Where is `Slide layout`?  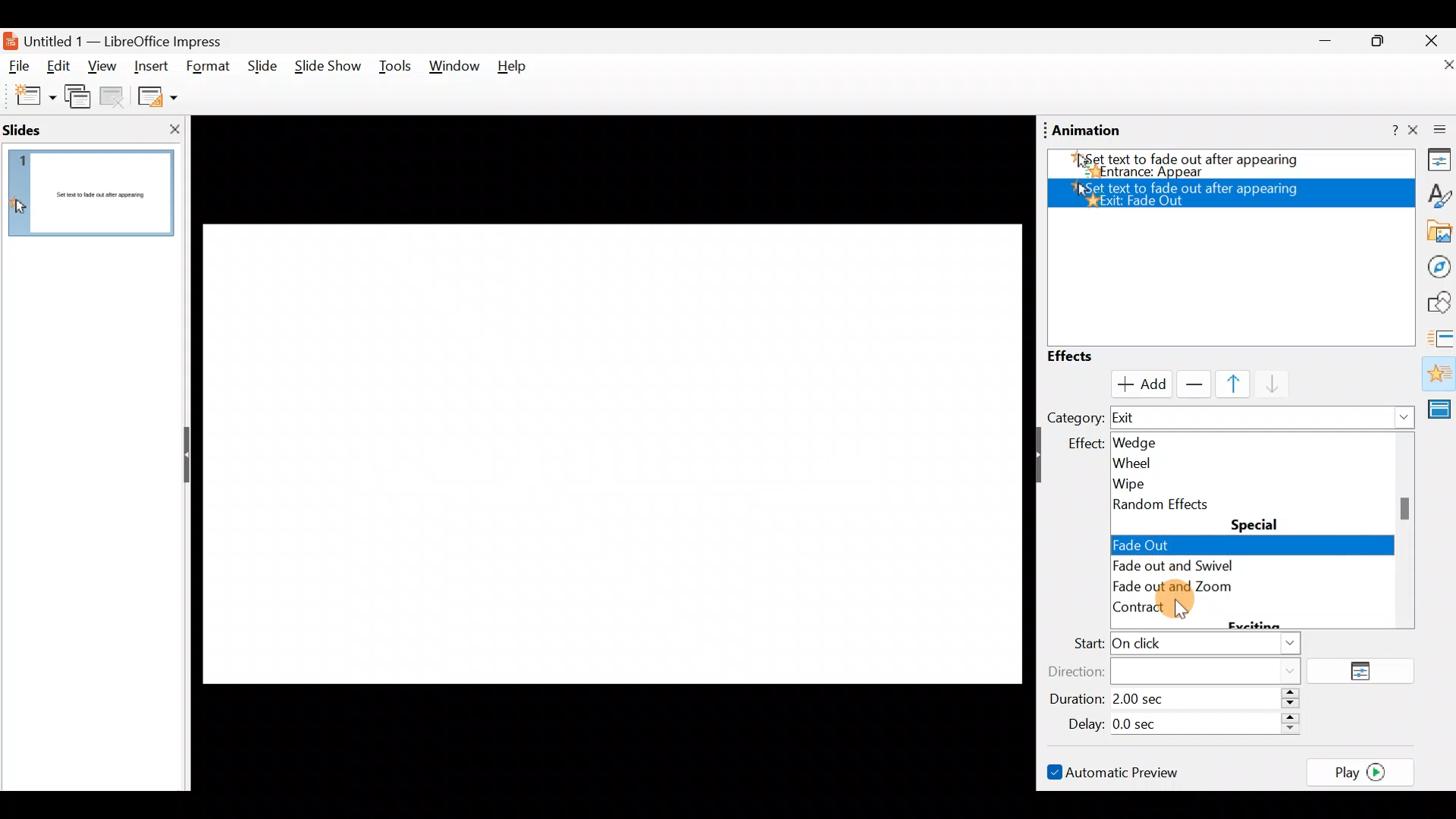 Slide layout is located at coordinates (156, 96).